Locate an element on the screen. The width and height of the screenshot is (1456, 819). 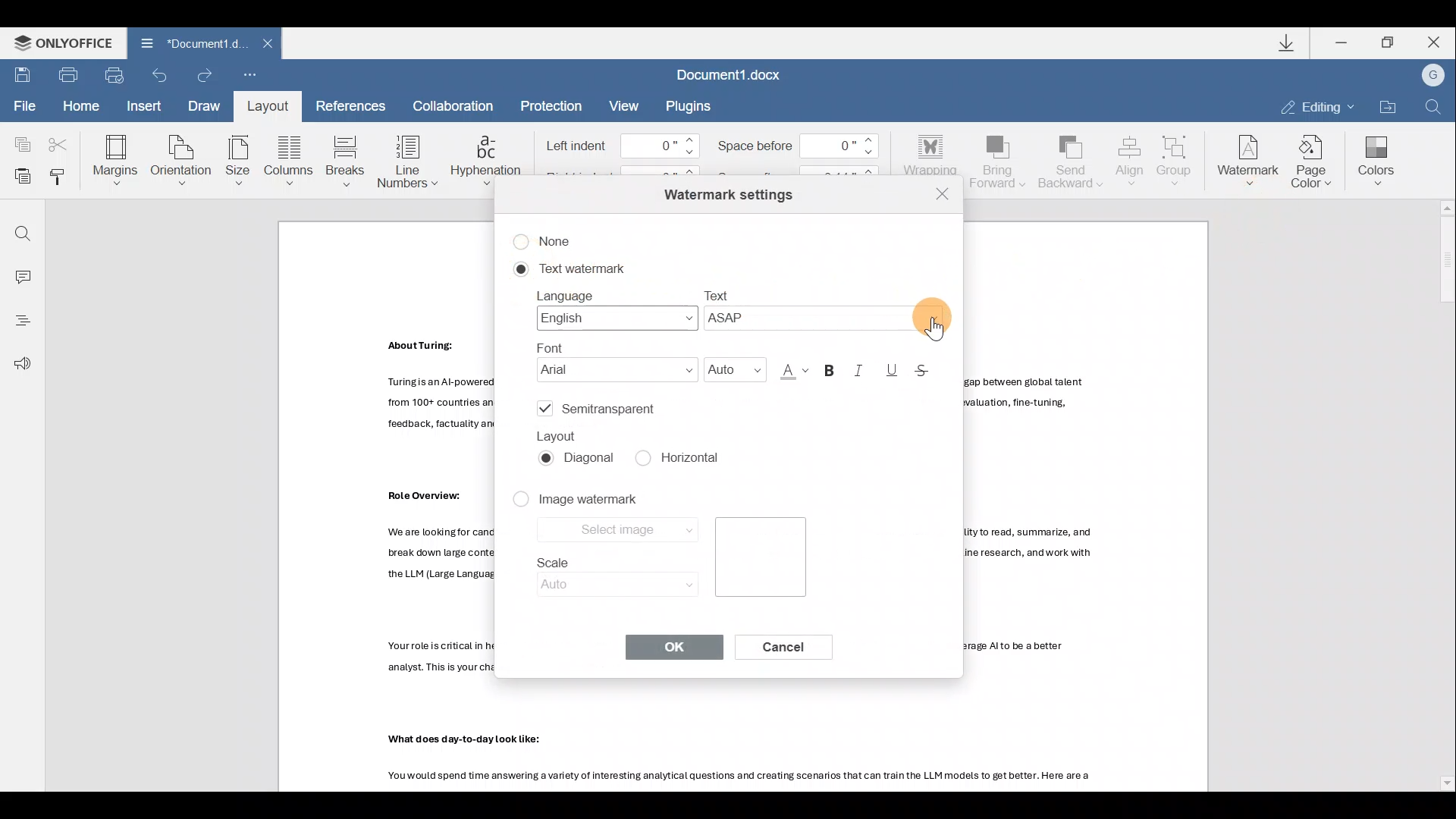
 is located at coordinates (470, 740).